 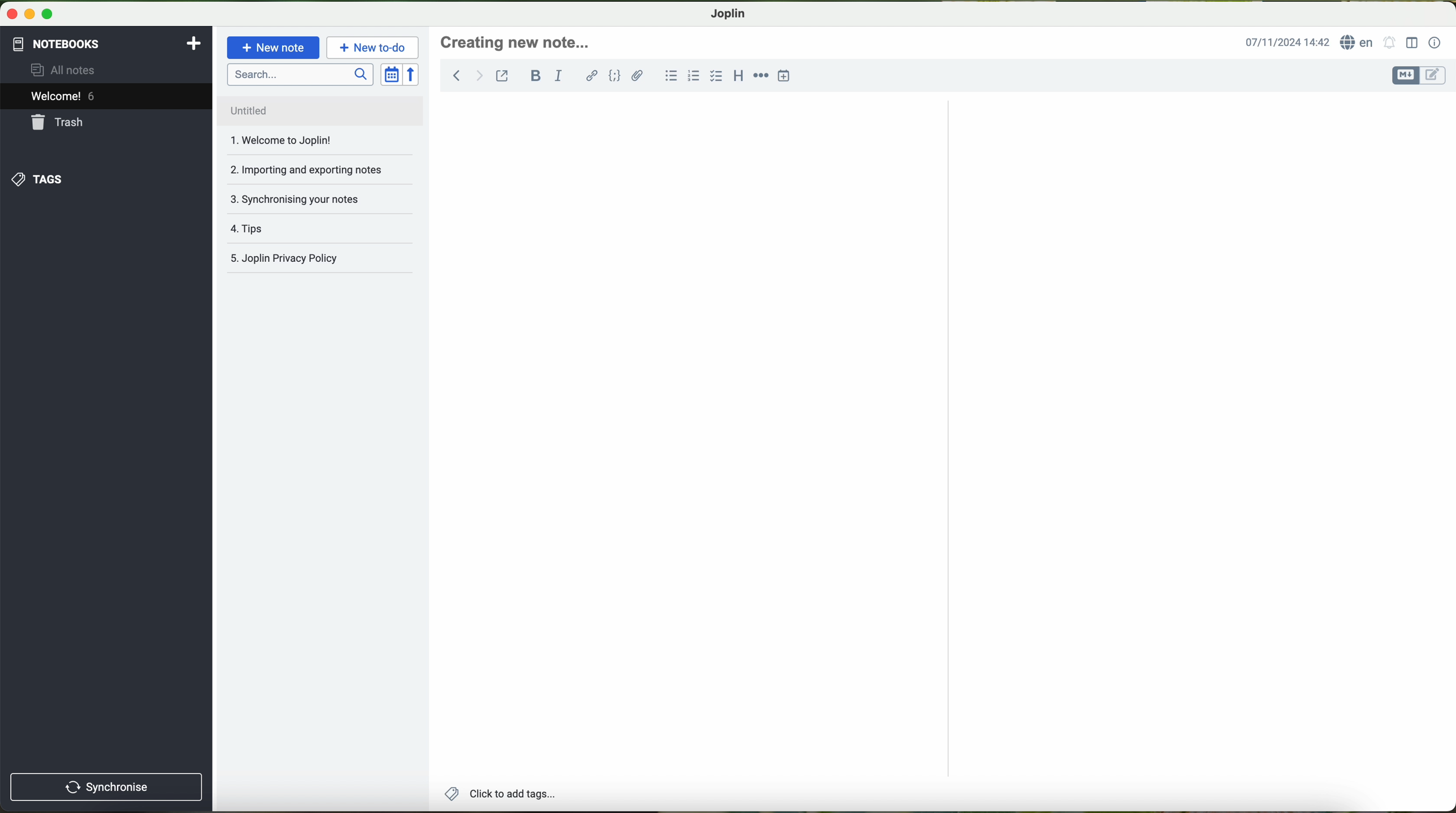 What do you see at coordinates (727, 13) in the screenshot?
I see `Joplin` at bounding box center [727, 13].